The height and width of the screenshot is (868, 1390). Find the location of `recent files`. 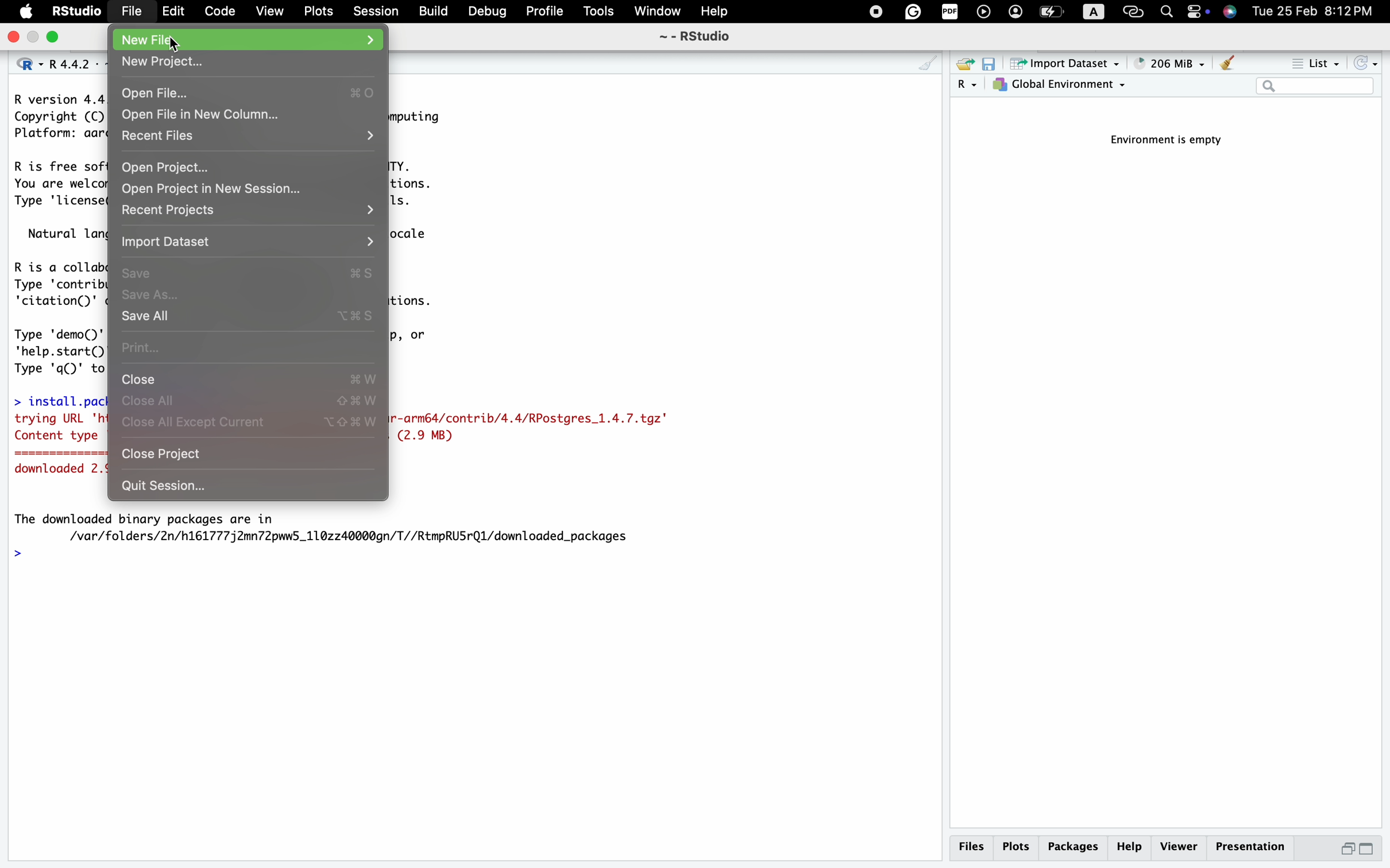

recent files is located at coordinates (250, 138).